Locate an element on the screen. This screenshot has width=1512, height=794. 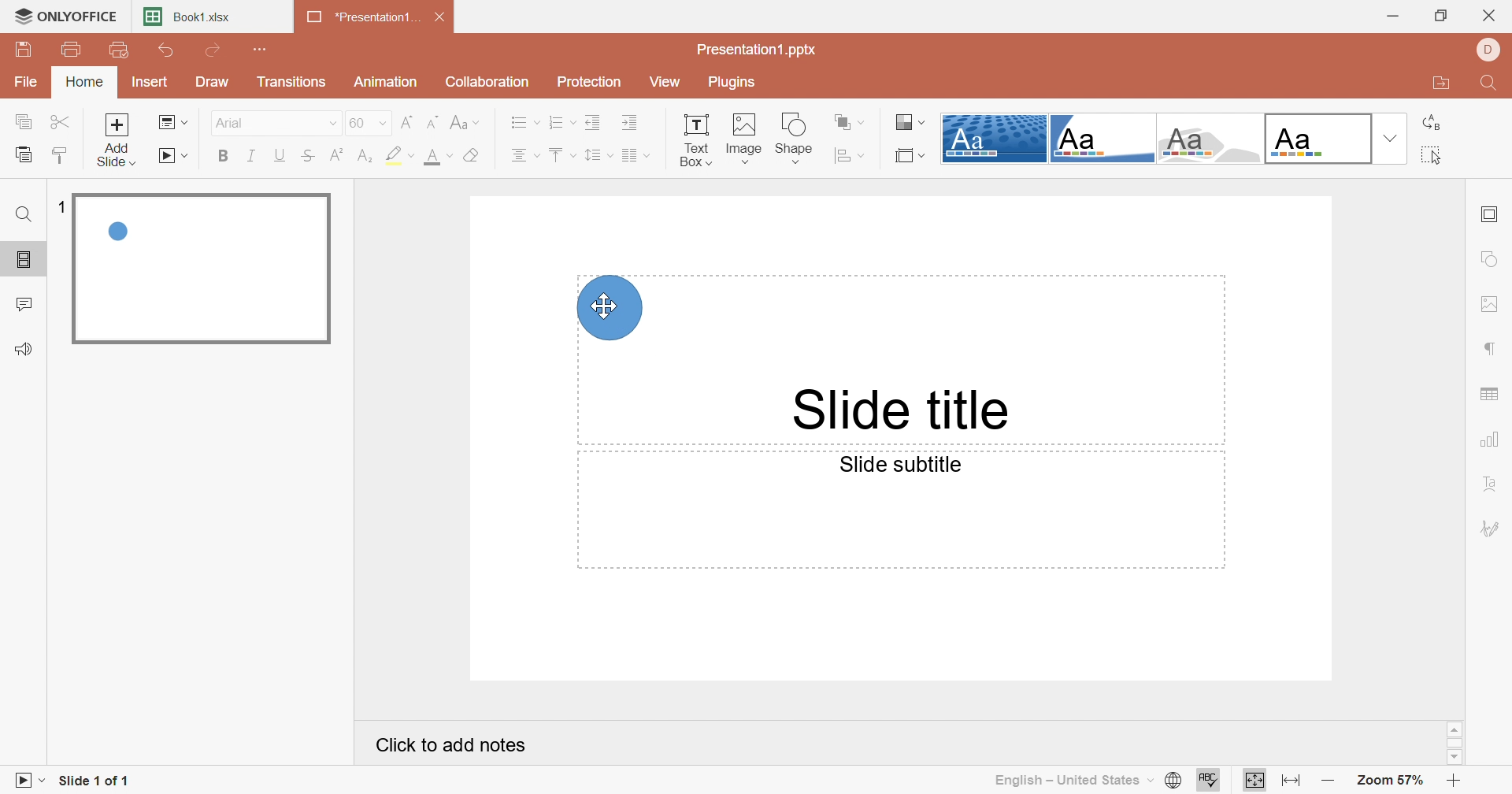
Decrease indent is located at coordinates (593, 122).